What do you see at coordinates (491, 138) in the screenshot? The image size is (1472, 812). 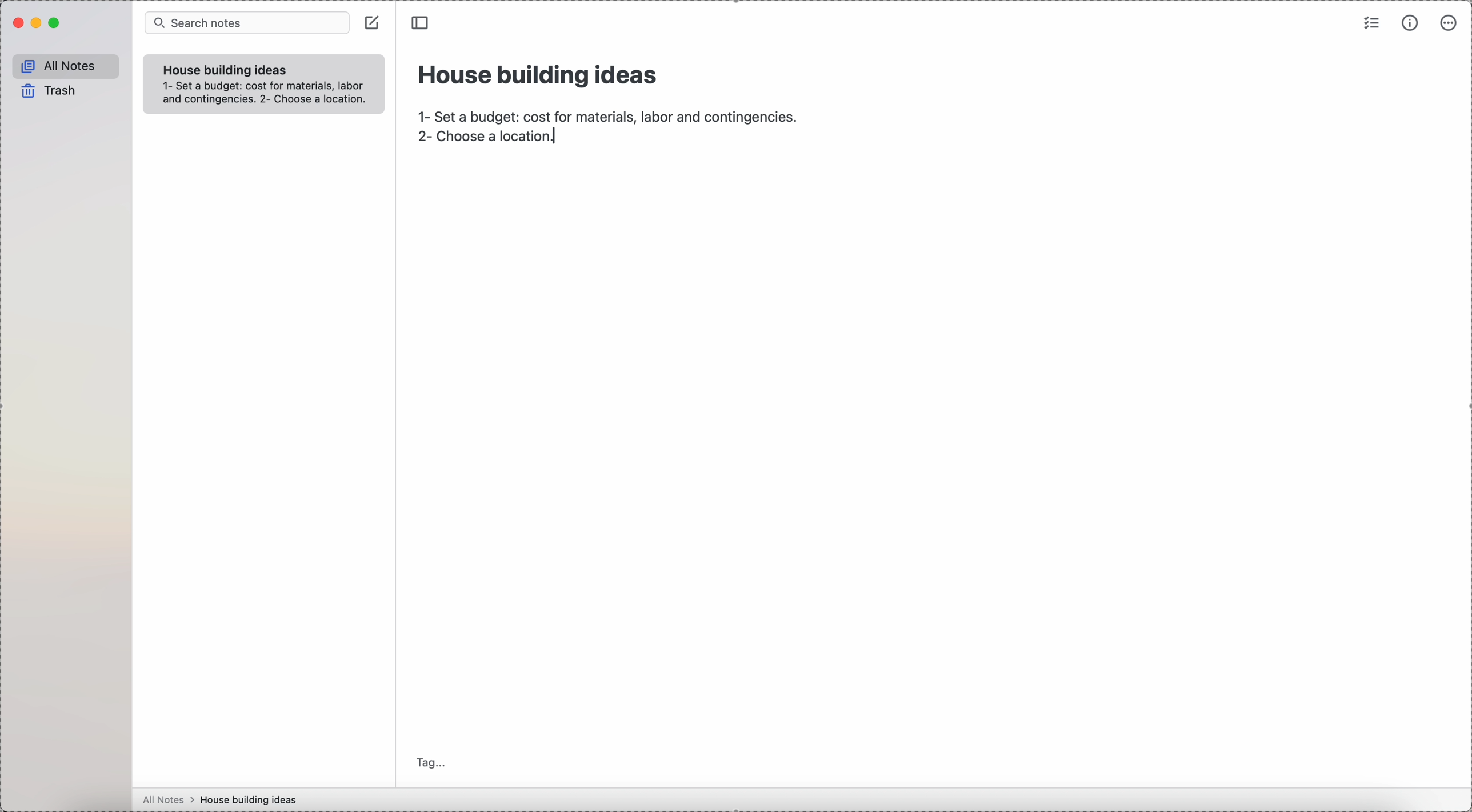 I see `choose a location` at bounding box center [491, 138].